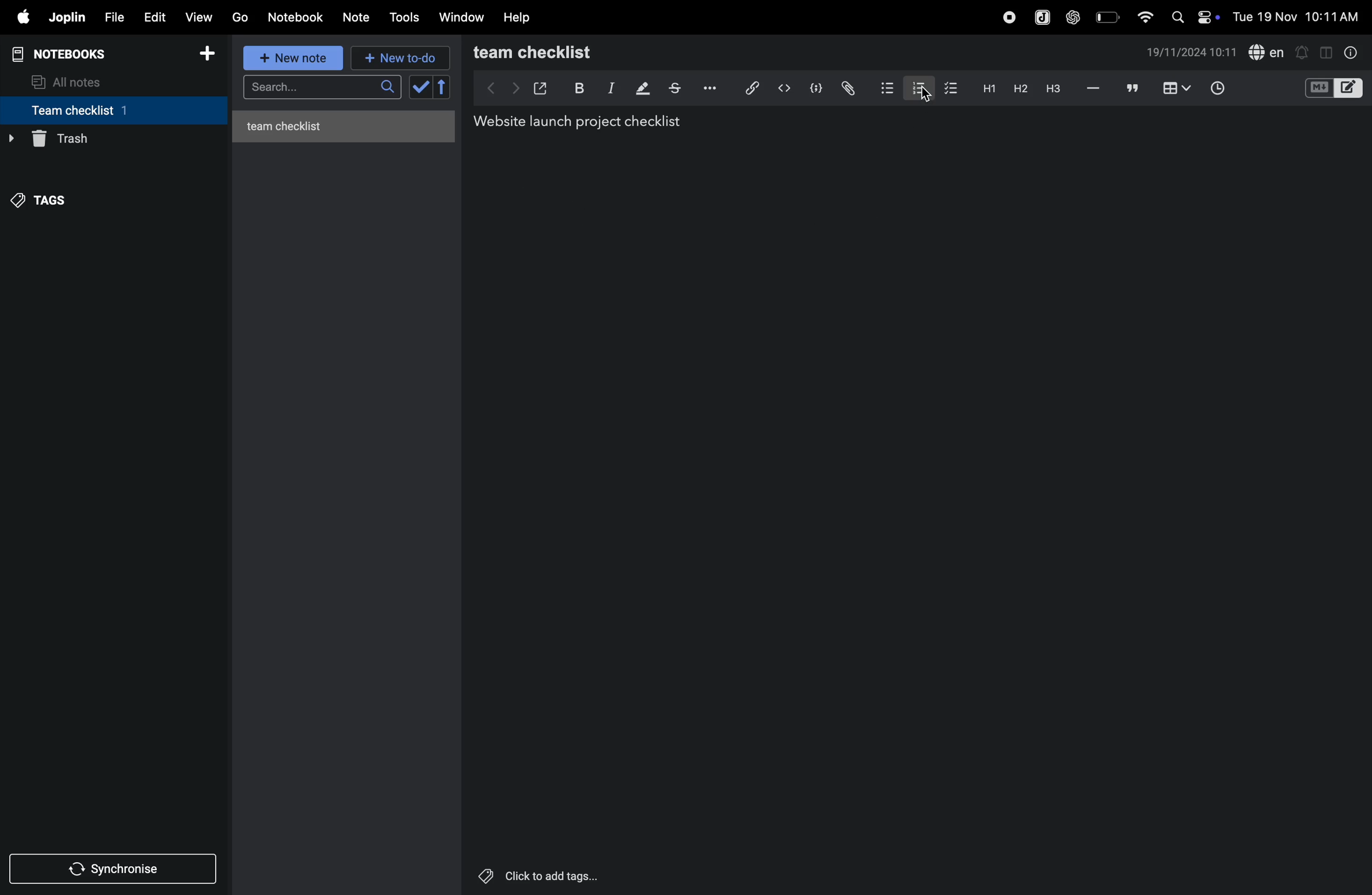 Image resolution: width=1372 pixels, height=895 pixels. Describe the element at coordinates (1092, 88) in the screenshot. I see `hifen` at that location.